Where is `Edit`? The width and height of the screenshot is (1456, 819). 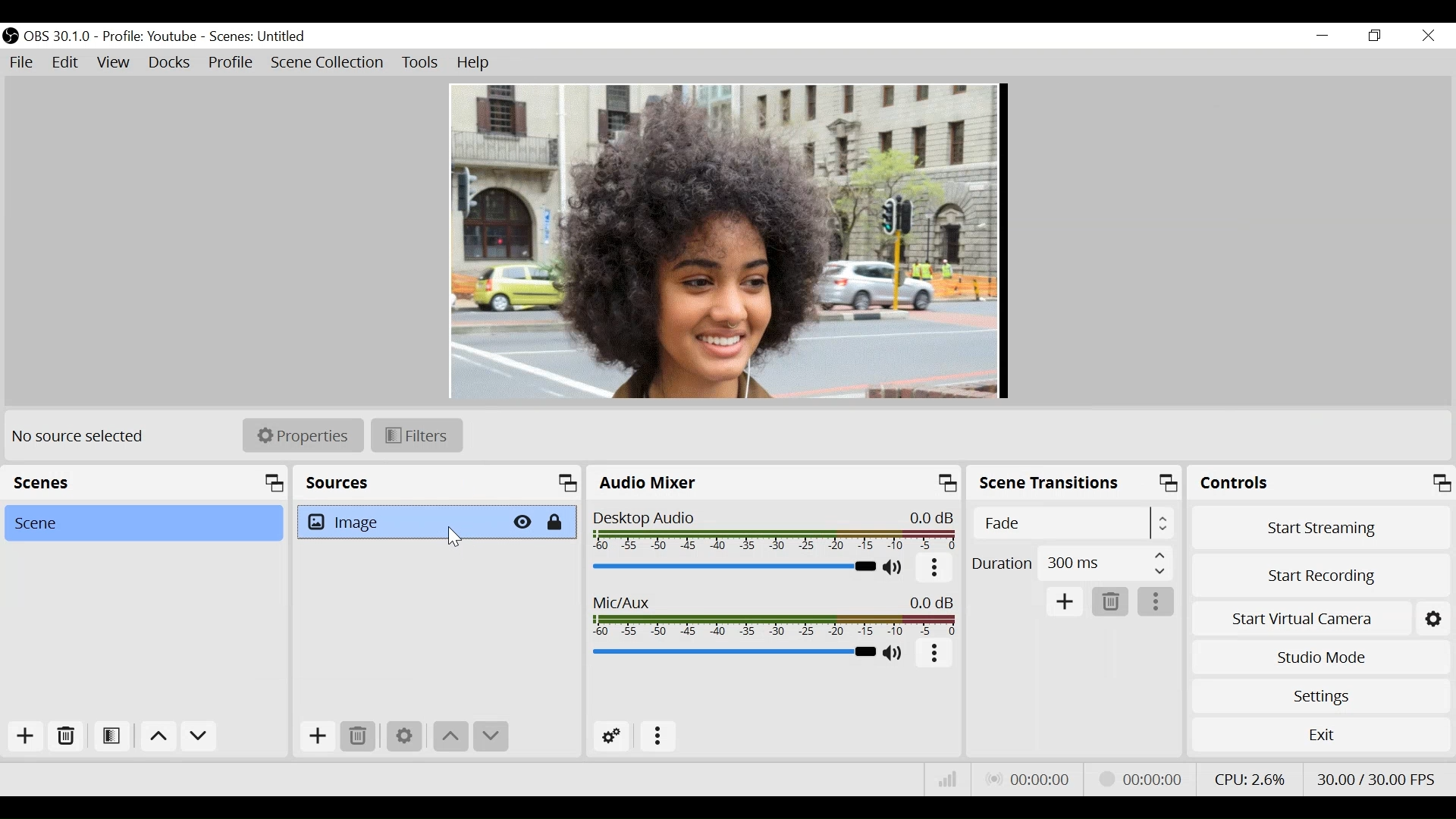 Edit is located at coordinates (66, 64).